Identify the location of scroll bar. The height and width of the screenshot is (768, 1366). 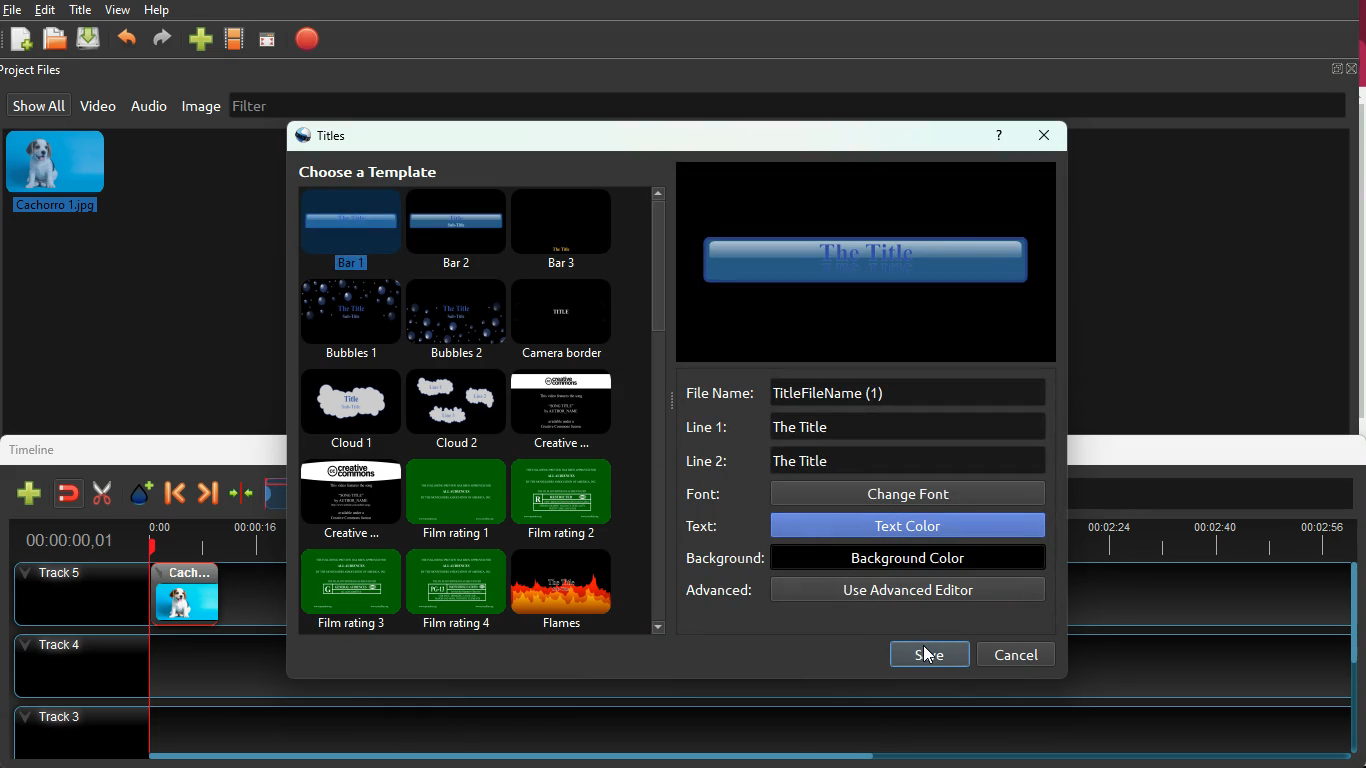
(659, 409).